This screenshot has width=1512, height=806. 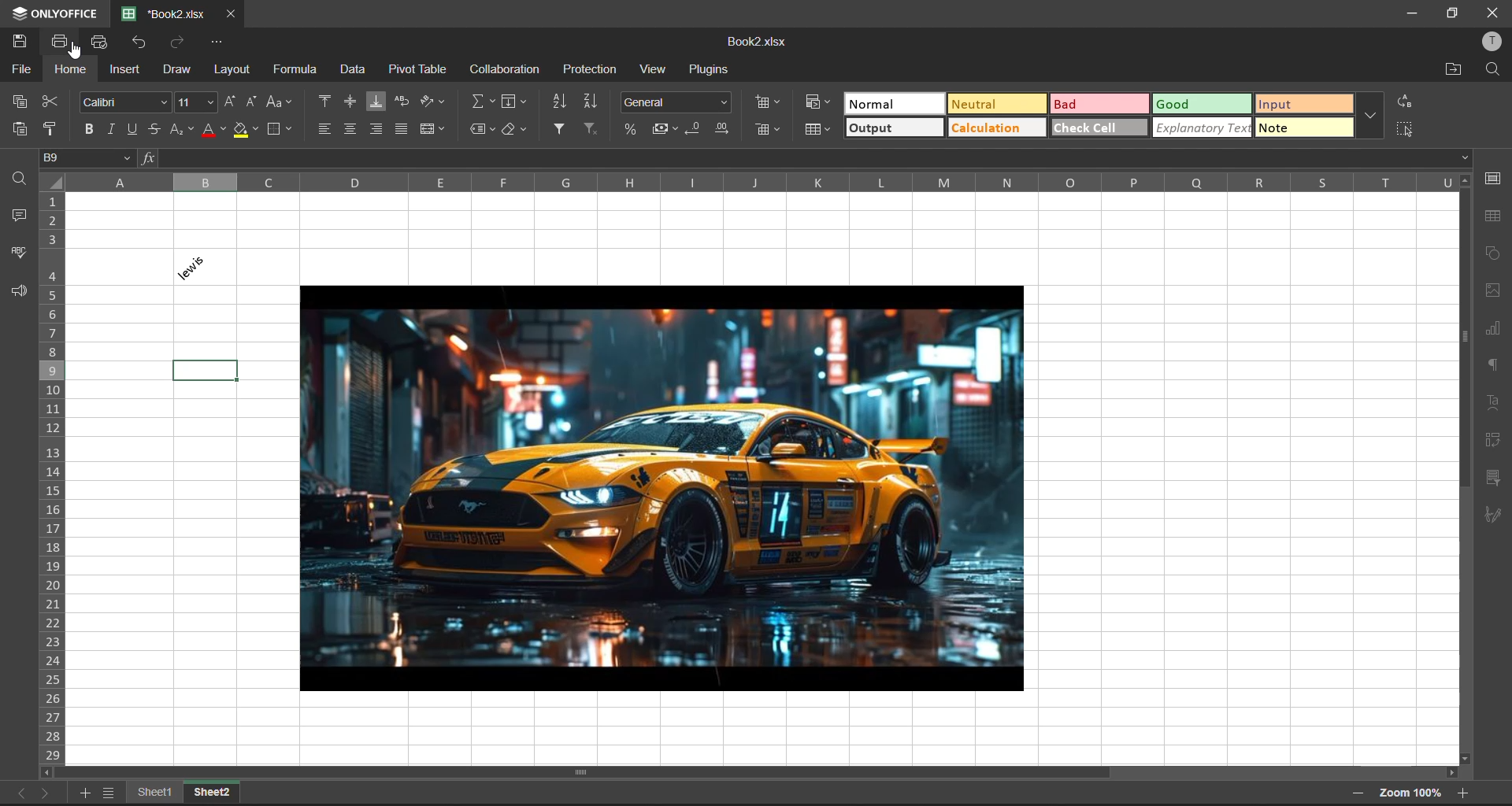 What do you see at coordinates (483, 130) in the screenshot?
I see `named ranges` at bounding box center [483, 130].